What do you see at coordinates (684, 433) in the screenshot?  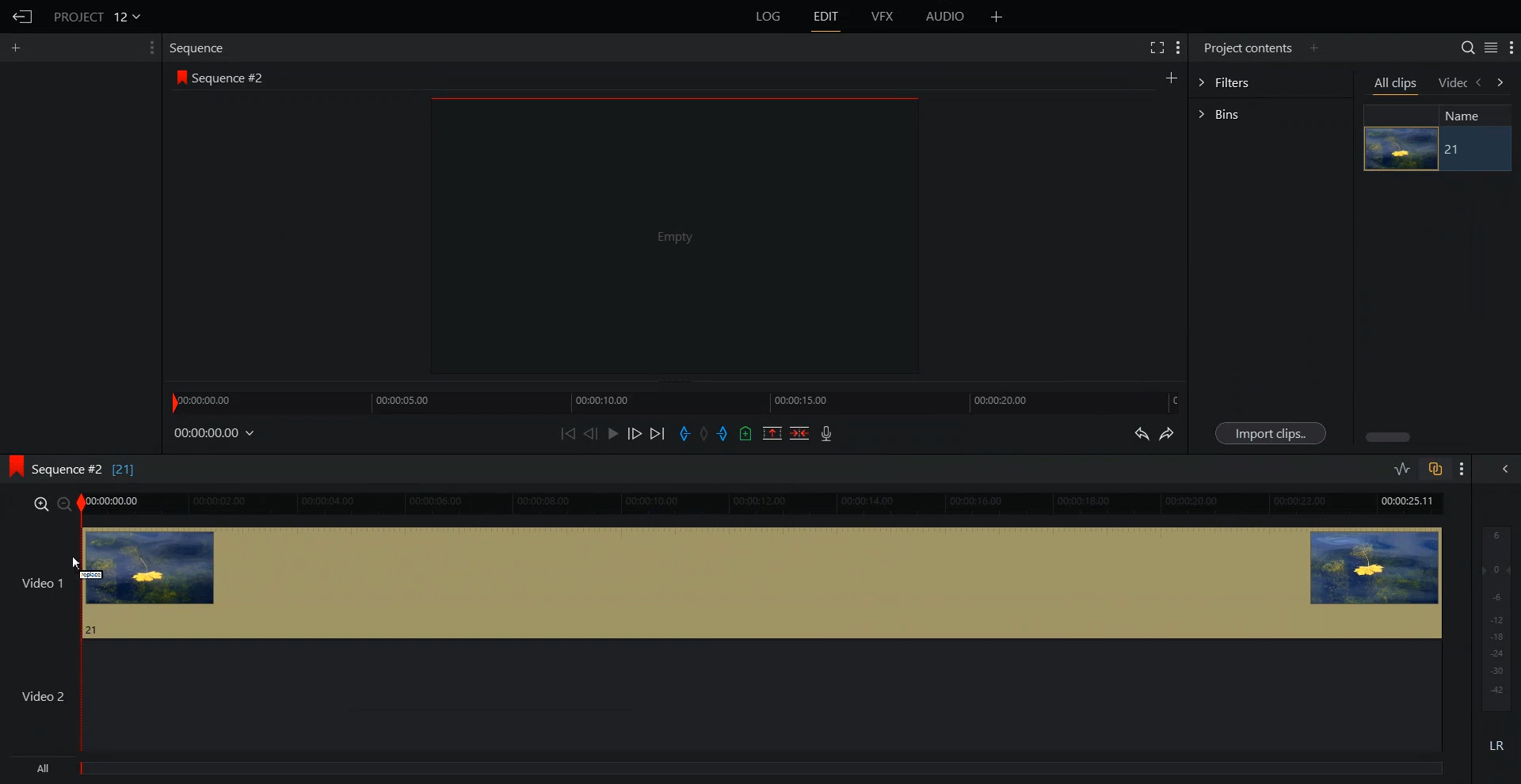 I see `Add an in Mark to current position` at bounding box center [684, 433].